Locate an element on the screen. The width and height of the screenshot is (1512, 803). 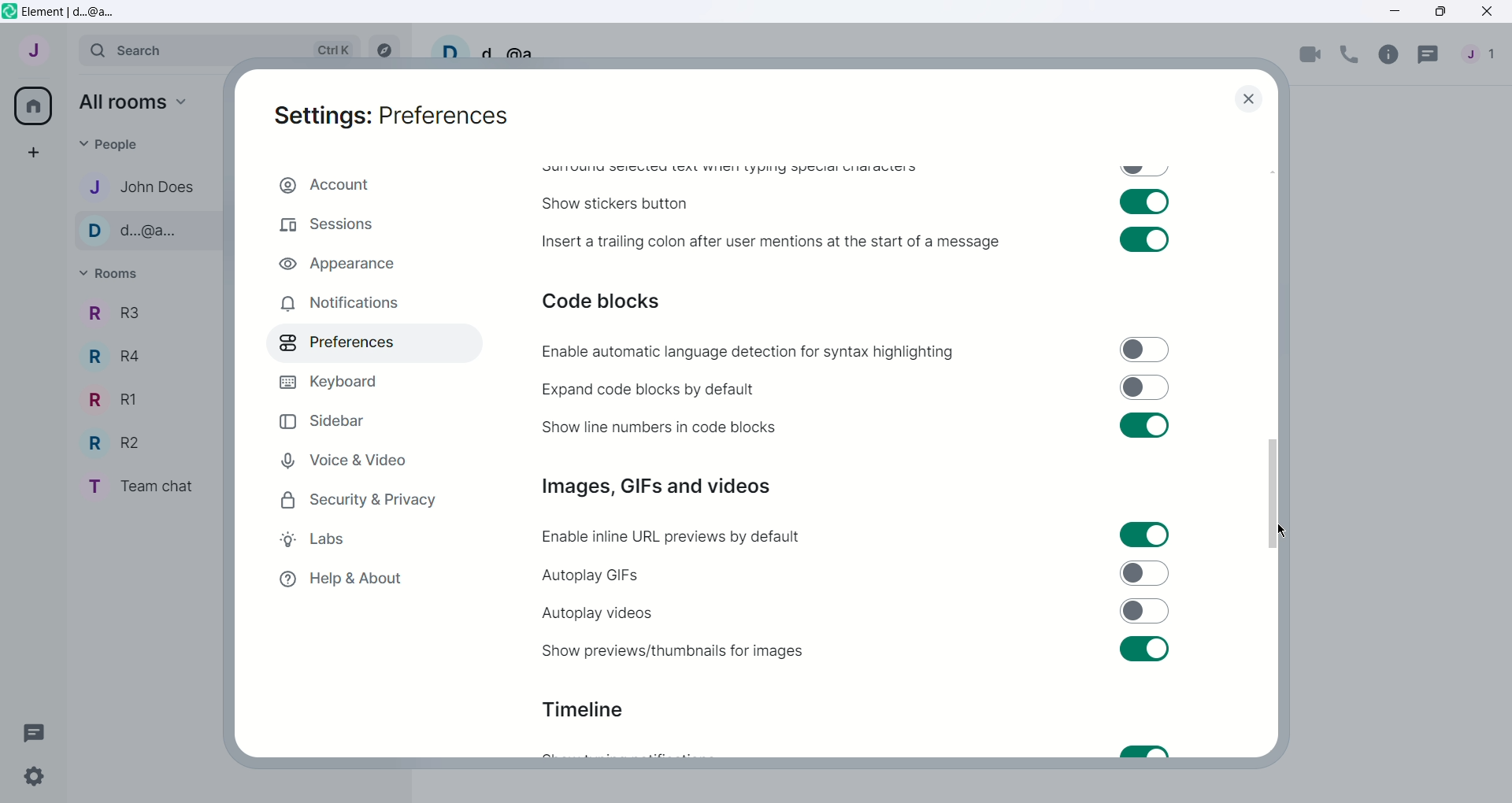
Cursor is located at coordinates (1282, 531).